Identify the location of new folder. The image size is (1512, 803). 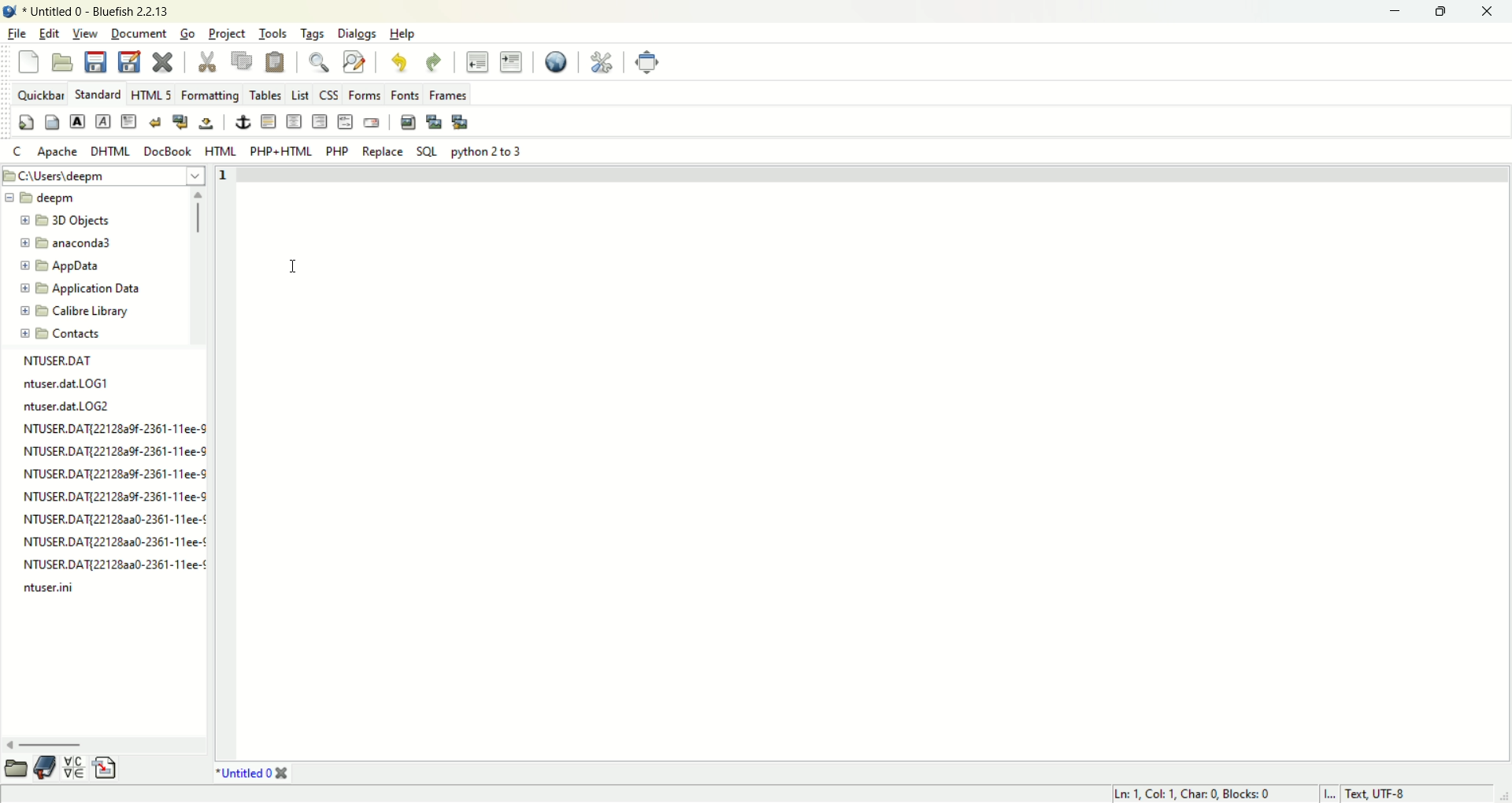
(97, 309).